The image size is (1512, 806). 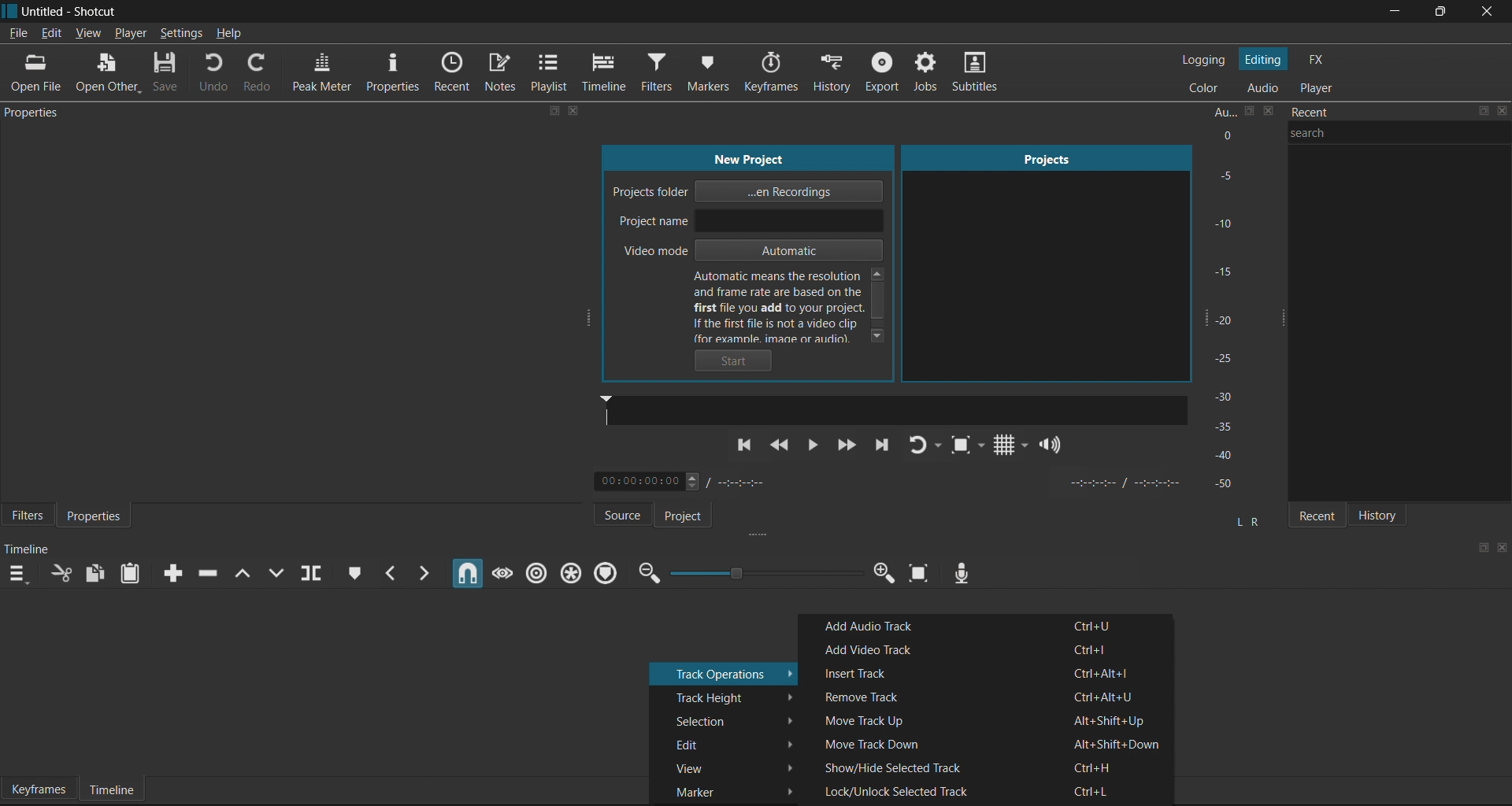 I want to click on Copy, so click(x=100, y=575).